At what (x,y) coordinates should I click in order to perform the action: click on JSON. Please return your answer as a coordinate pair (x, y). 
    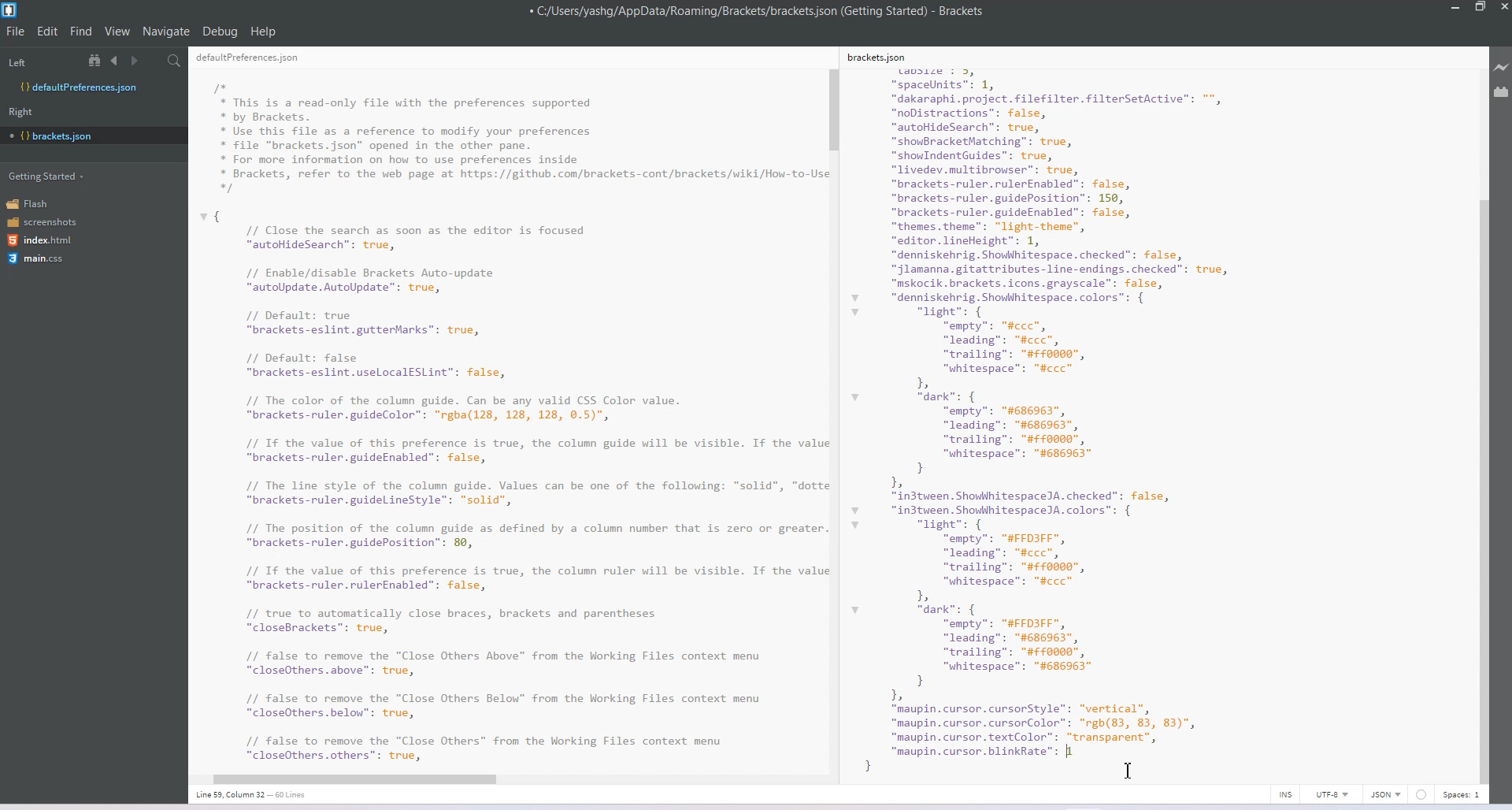
    Looking at the image, I should click on (1387, 794).